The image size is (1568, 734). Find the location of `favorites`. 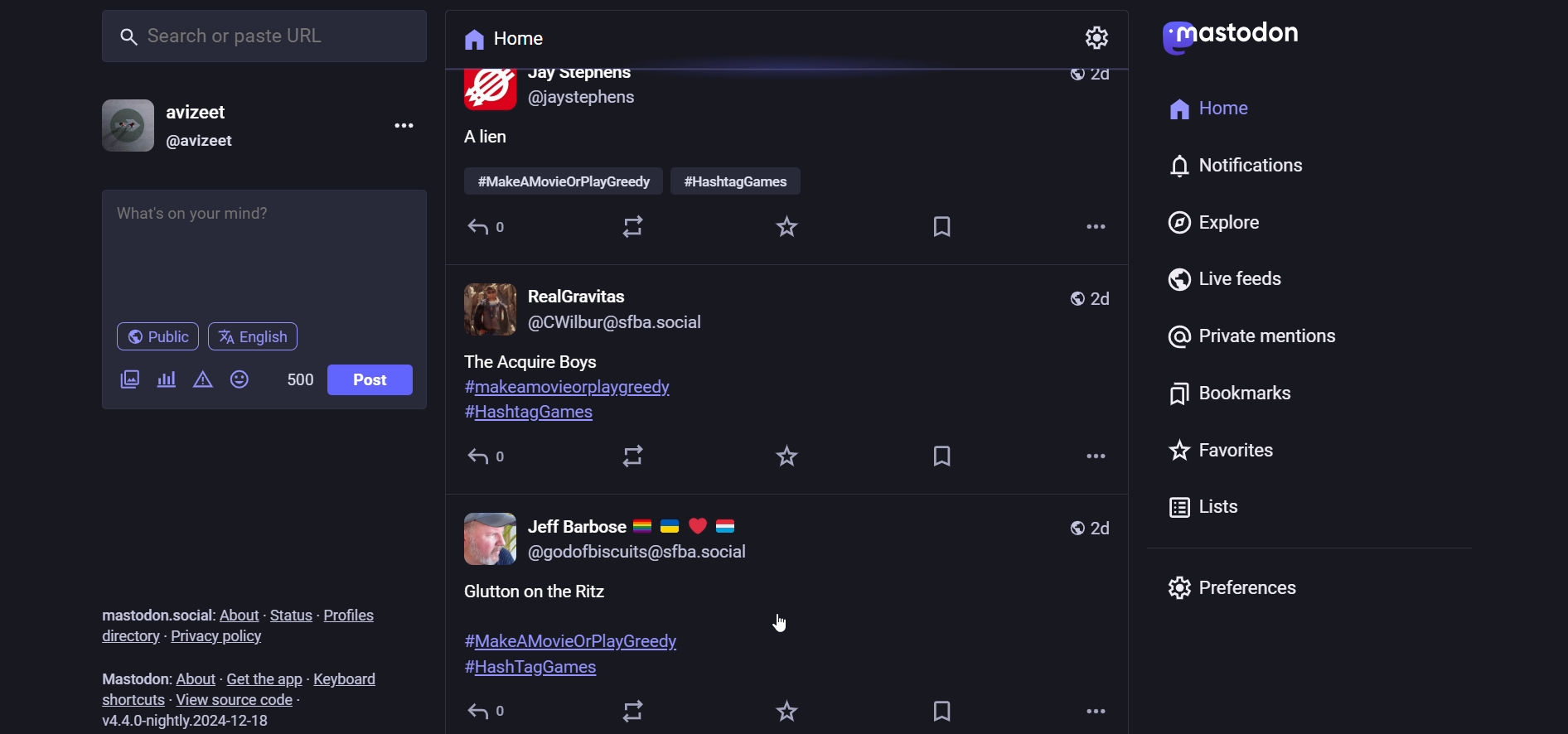

favorites is located at coordinates (1148, 447).